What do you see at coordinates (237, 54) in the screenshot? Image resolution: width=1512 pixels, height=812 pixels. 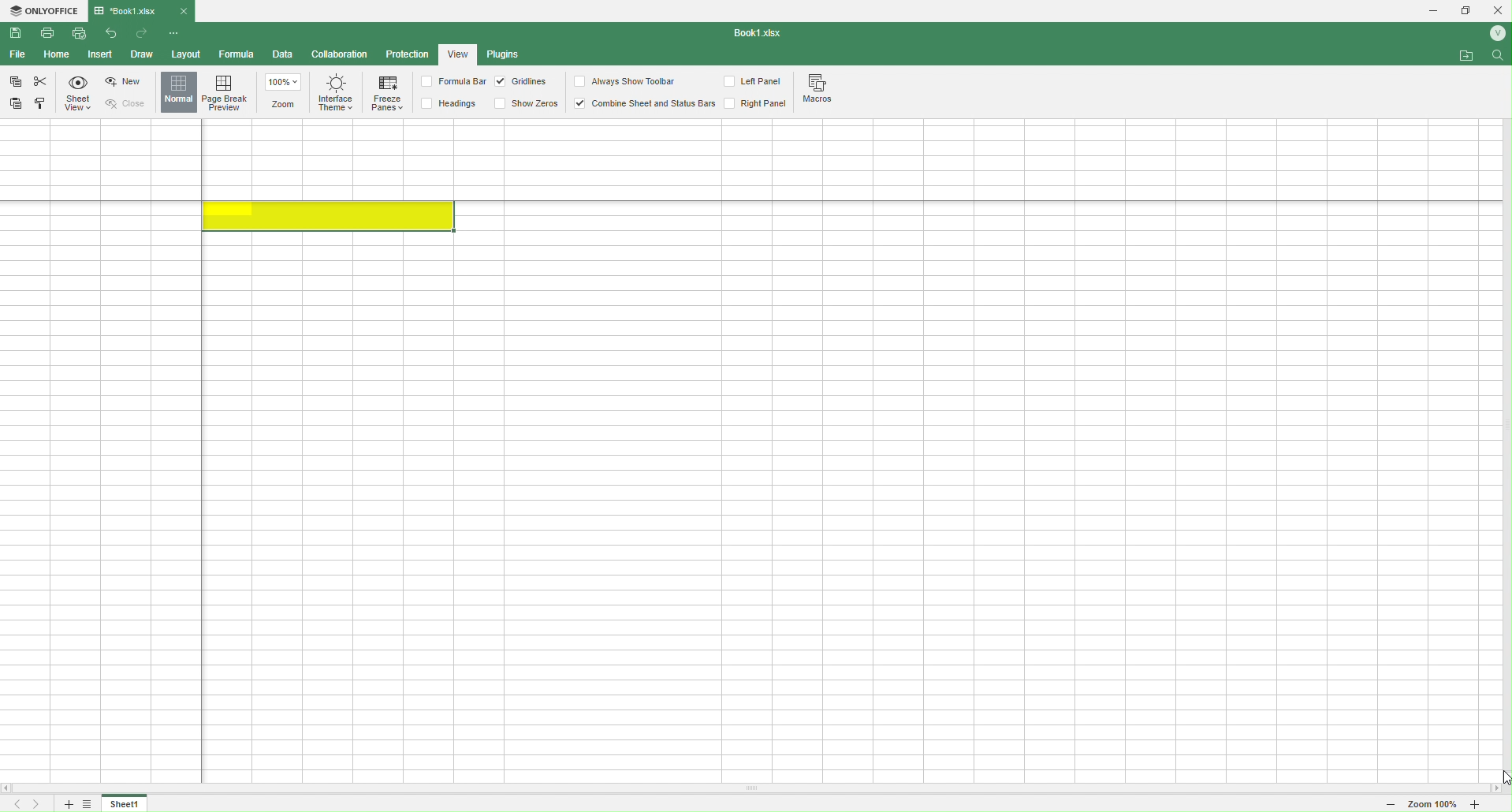 I see `Formula` at bounding box center [237, 54].